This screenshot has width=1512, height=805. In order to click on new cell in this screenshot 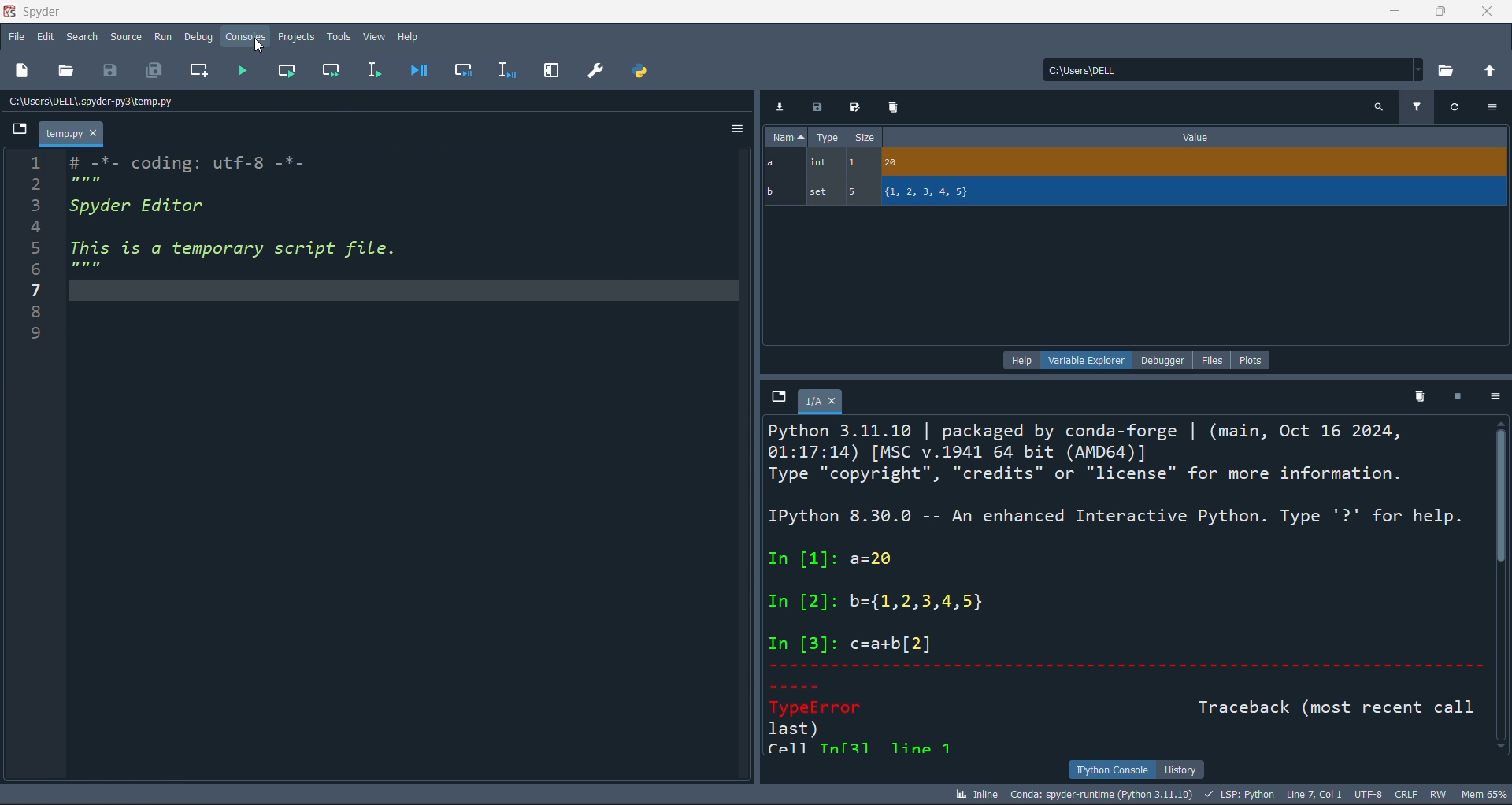, I will do `click(198, 72)`.